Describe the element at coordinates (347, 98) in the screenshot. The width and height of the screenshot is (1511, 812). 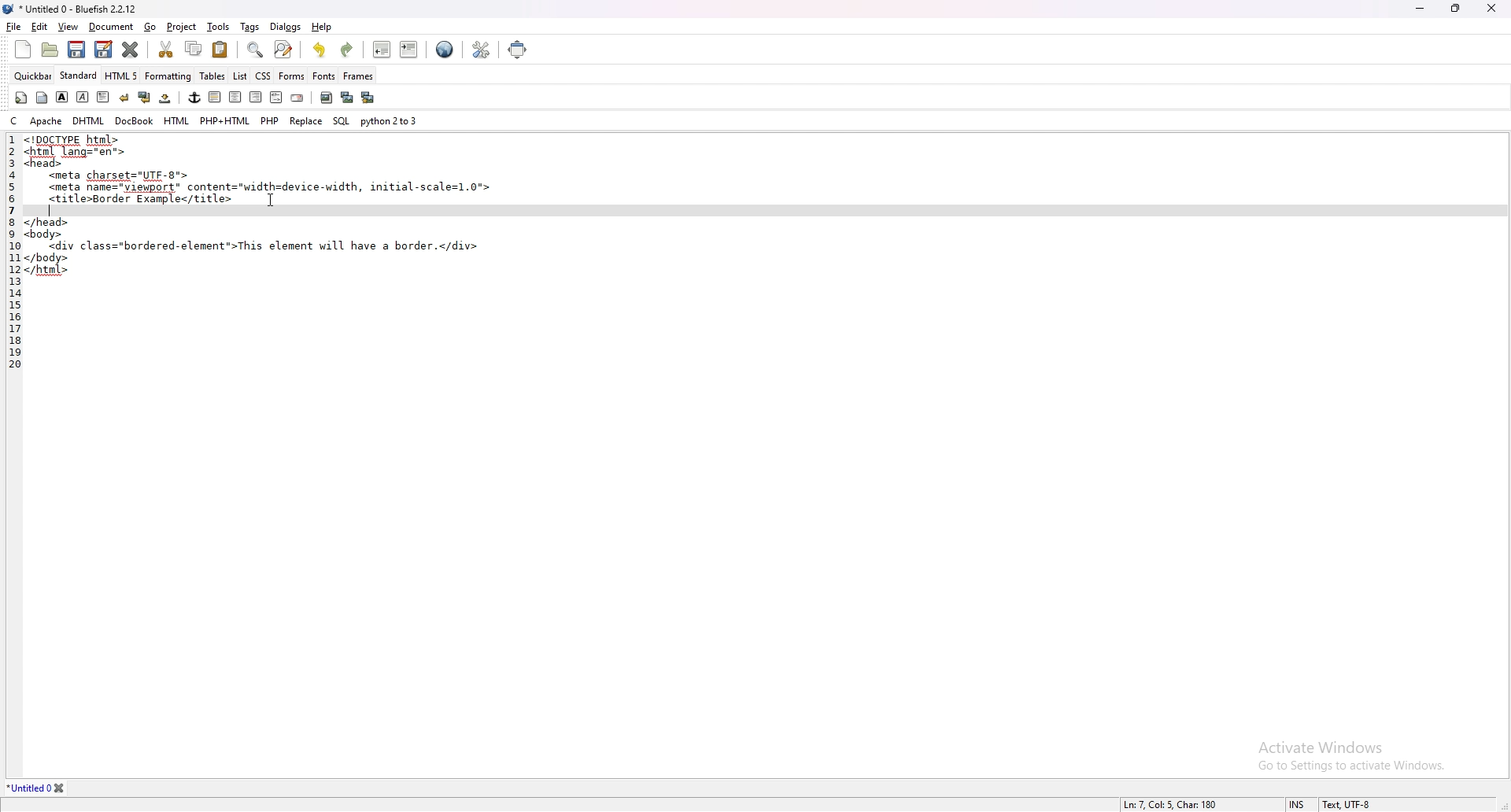
I see `insert thumbnail` at that location.